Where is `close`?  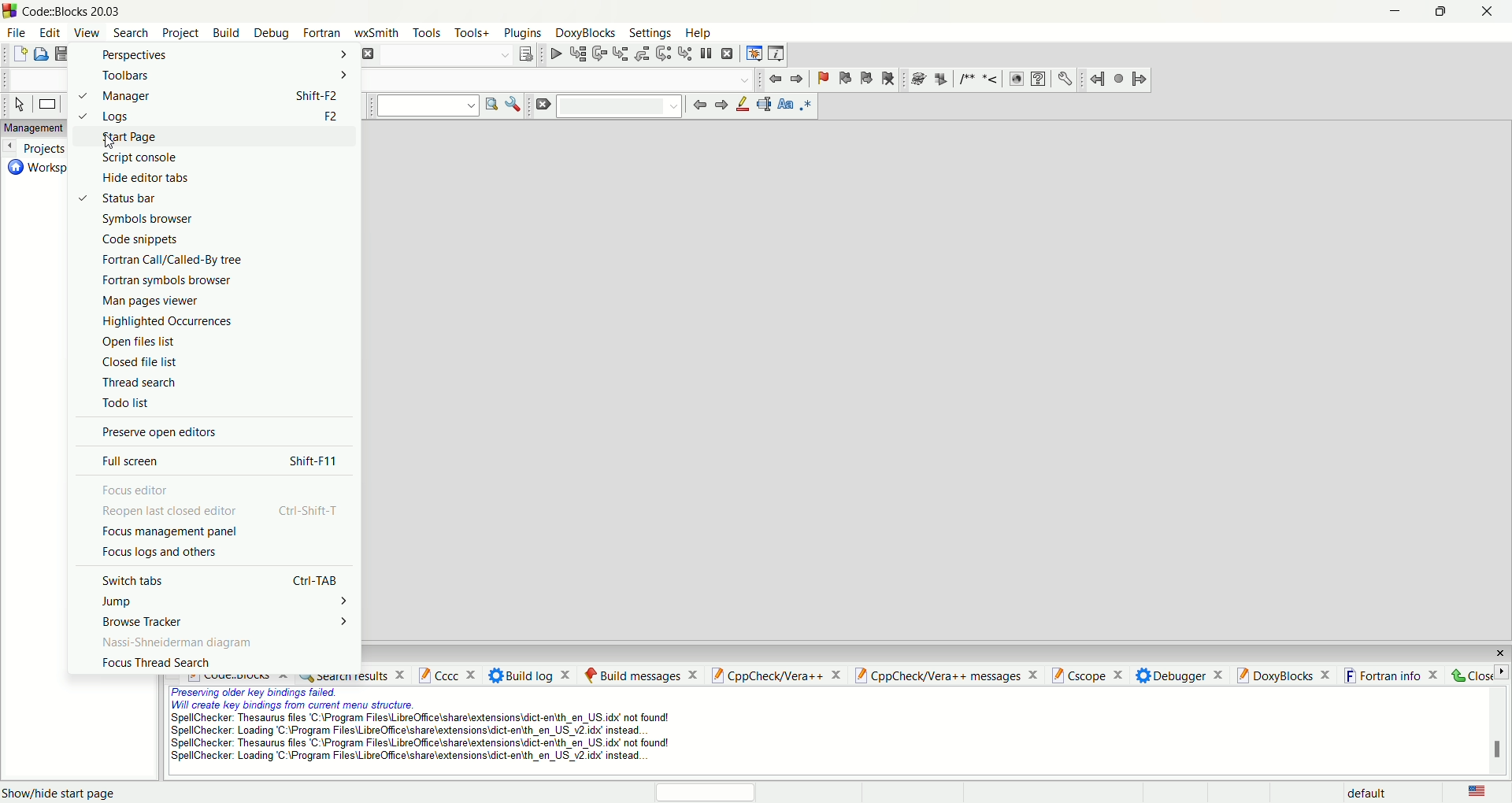
close is located at coordinates (1495, 12).